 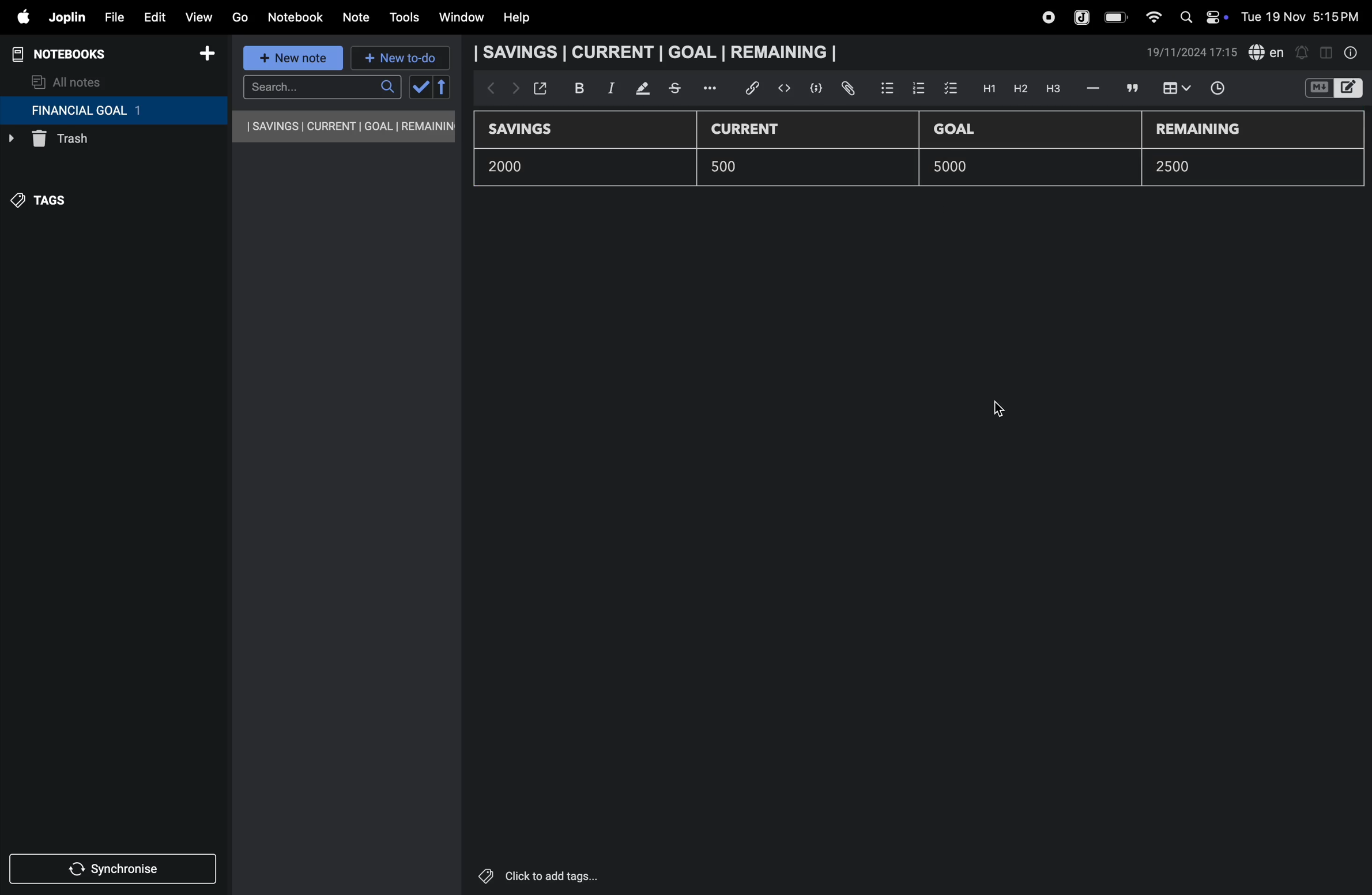 I want to click on current, so click(x=753, y=130).